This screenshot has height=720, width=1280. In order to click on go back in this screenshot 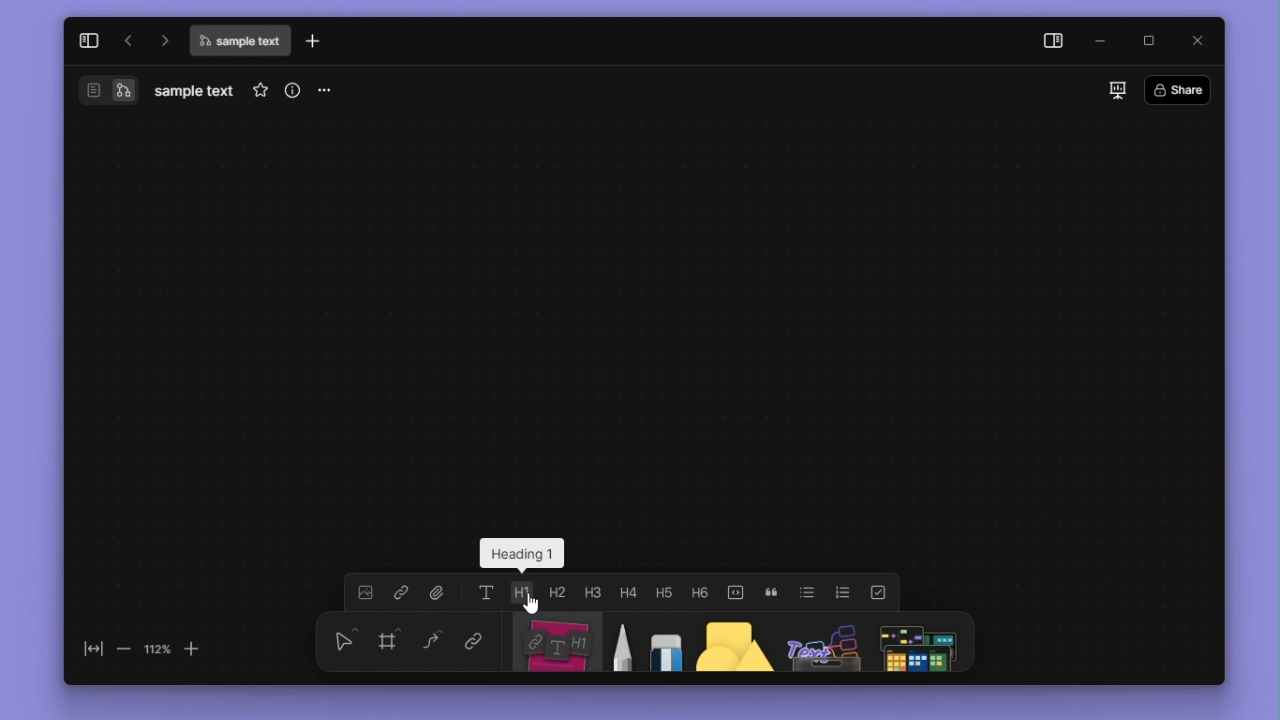, I will do `click(128, 40)`.